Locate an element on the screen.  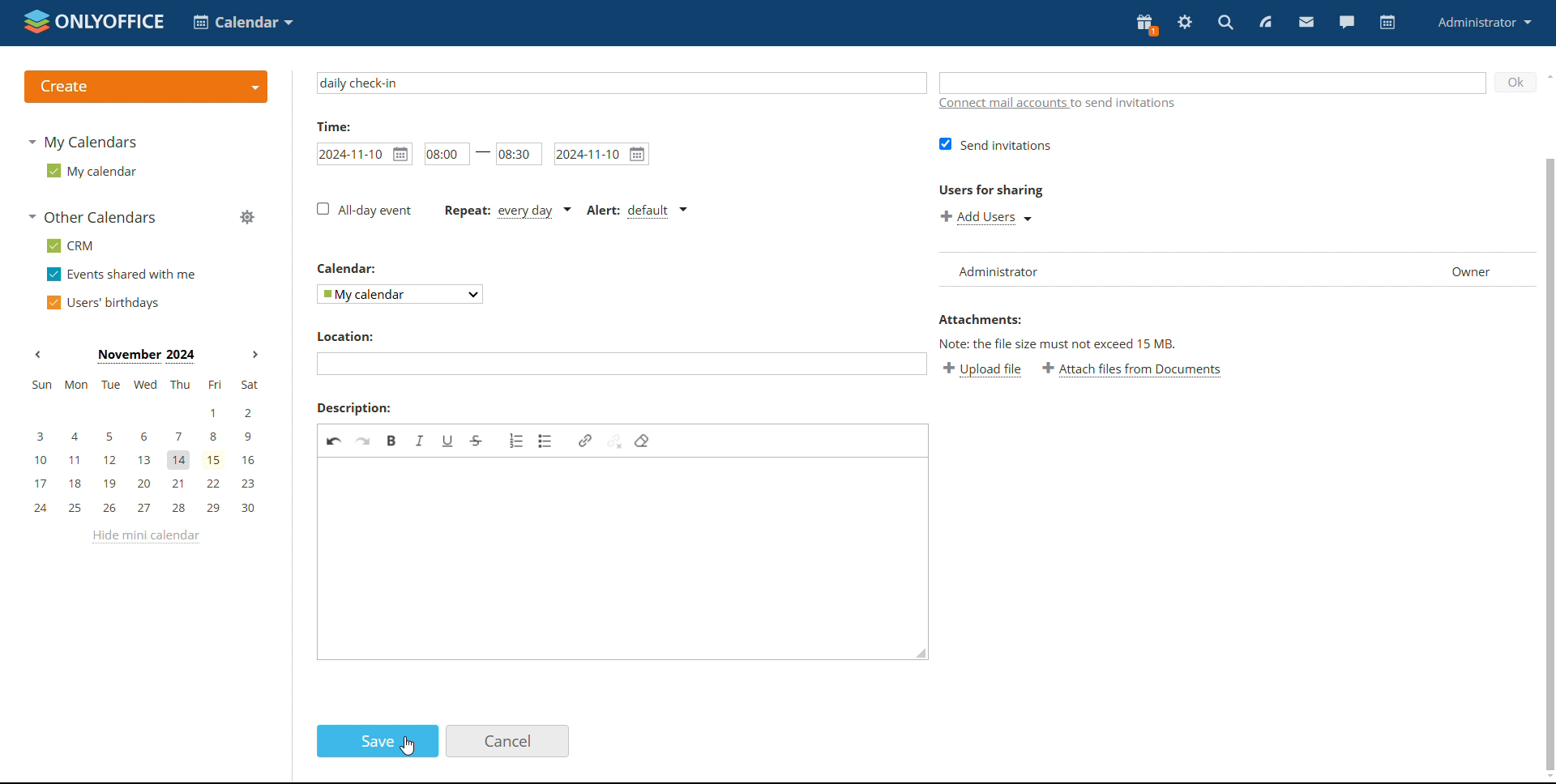
my calendars is located at coordinates (83, 141).